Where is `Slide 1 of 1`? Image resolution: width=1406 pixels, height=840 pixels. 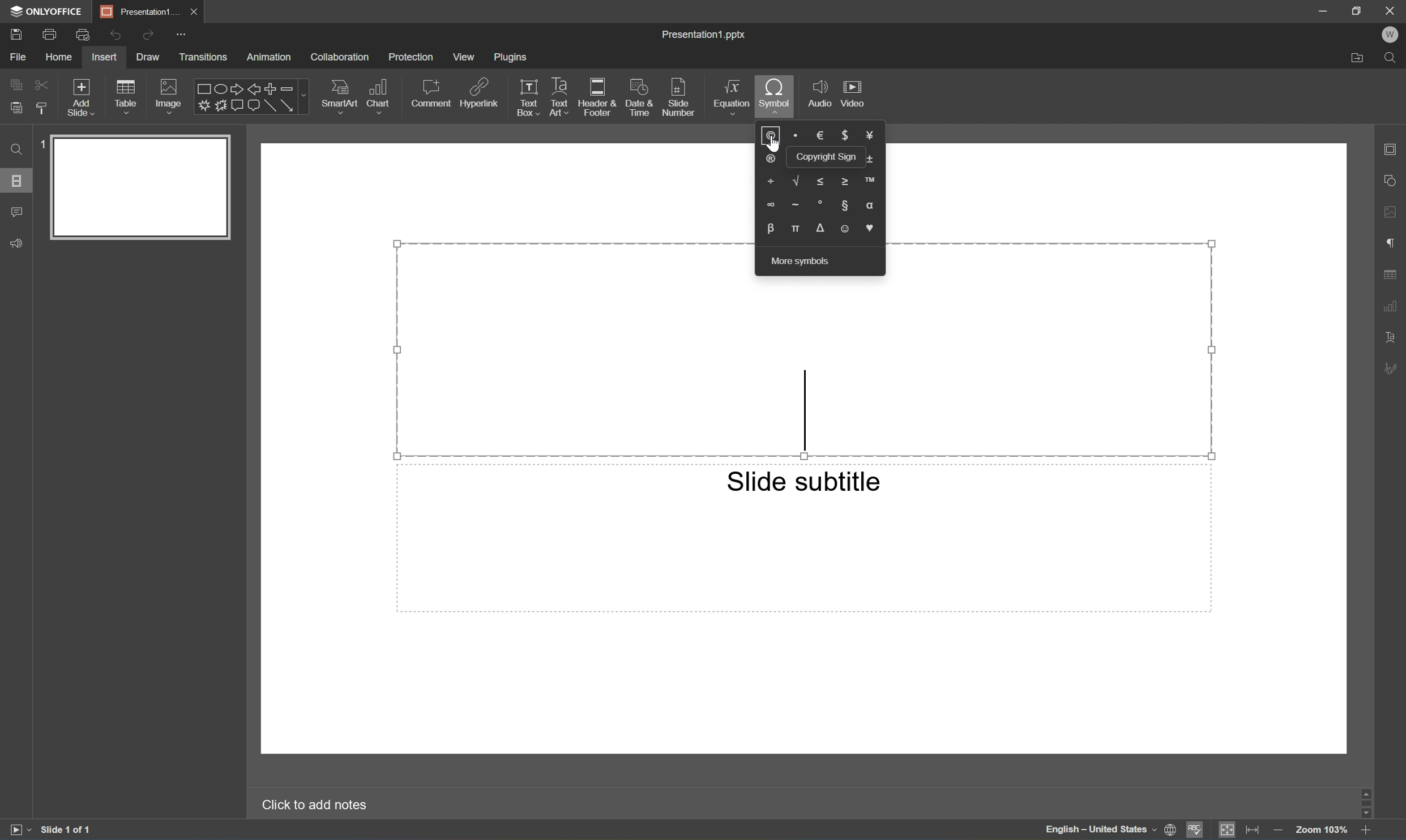 Slide 1 of 1 is located at coordinates (79, 826).